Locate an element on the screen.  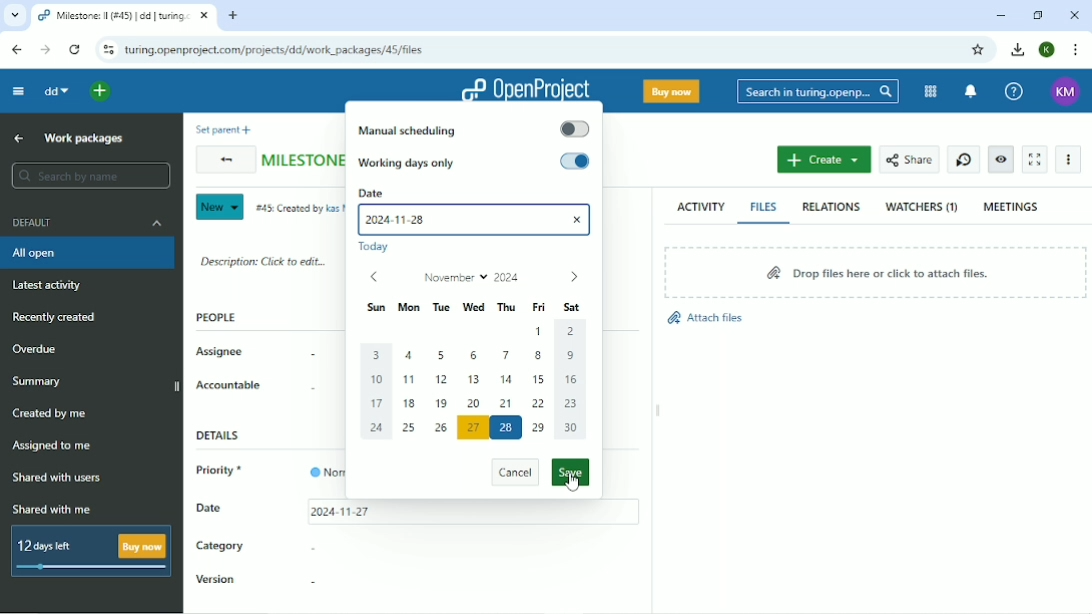
Recently created is located at coordinates (54, 317).